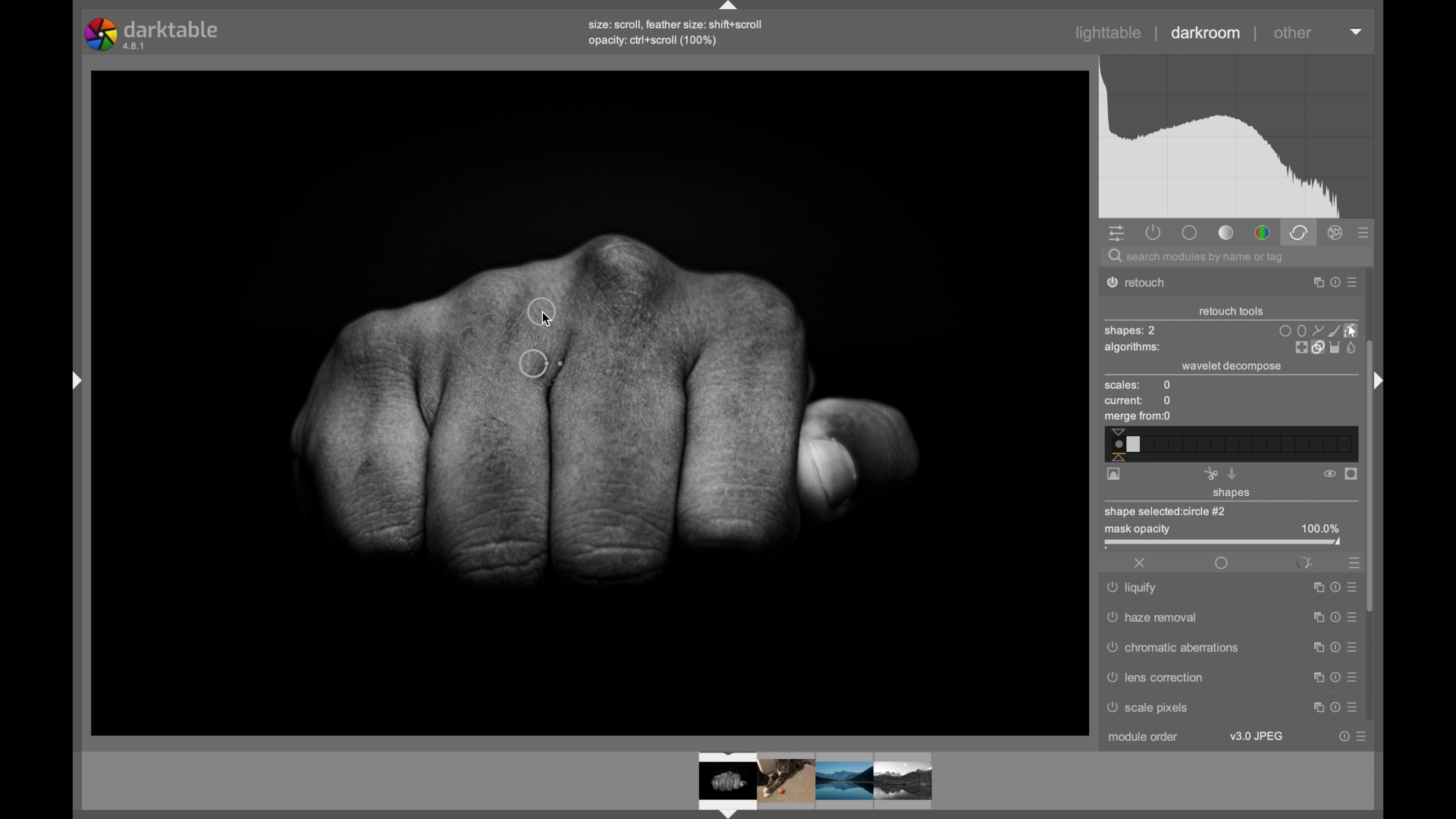 The height and width of the screenshot is (819, 1456). What do you see at coordinates (1352, 585) in the screenshot?
I see `more options` at bounding box center [1352, 585].